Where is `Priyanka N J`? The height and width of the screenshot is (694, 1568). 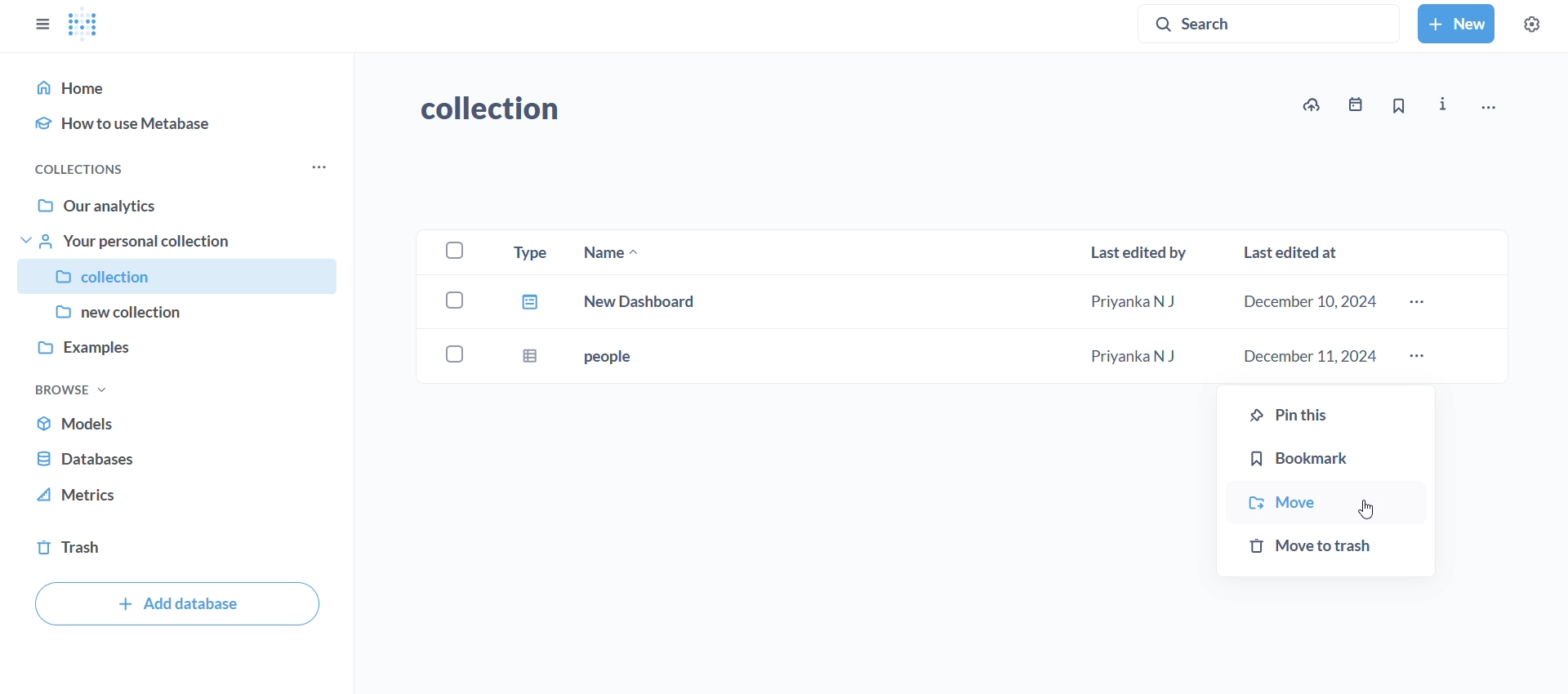
Priyanka N J is located at coordinates (1133, 303).